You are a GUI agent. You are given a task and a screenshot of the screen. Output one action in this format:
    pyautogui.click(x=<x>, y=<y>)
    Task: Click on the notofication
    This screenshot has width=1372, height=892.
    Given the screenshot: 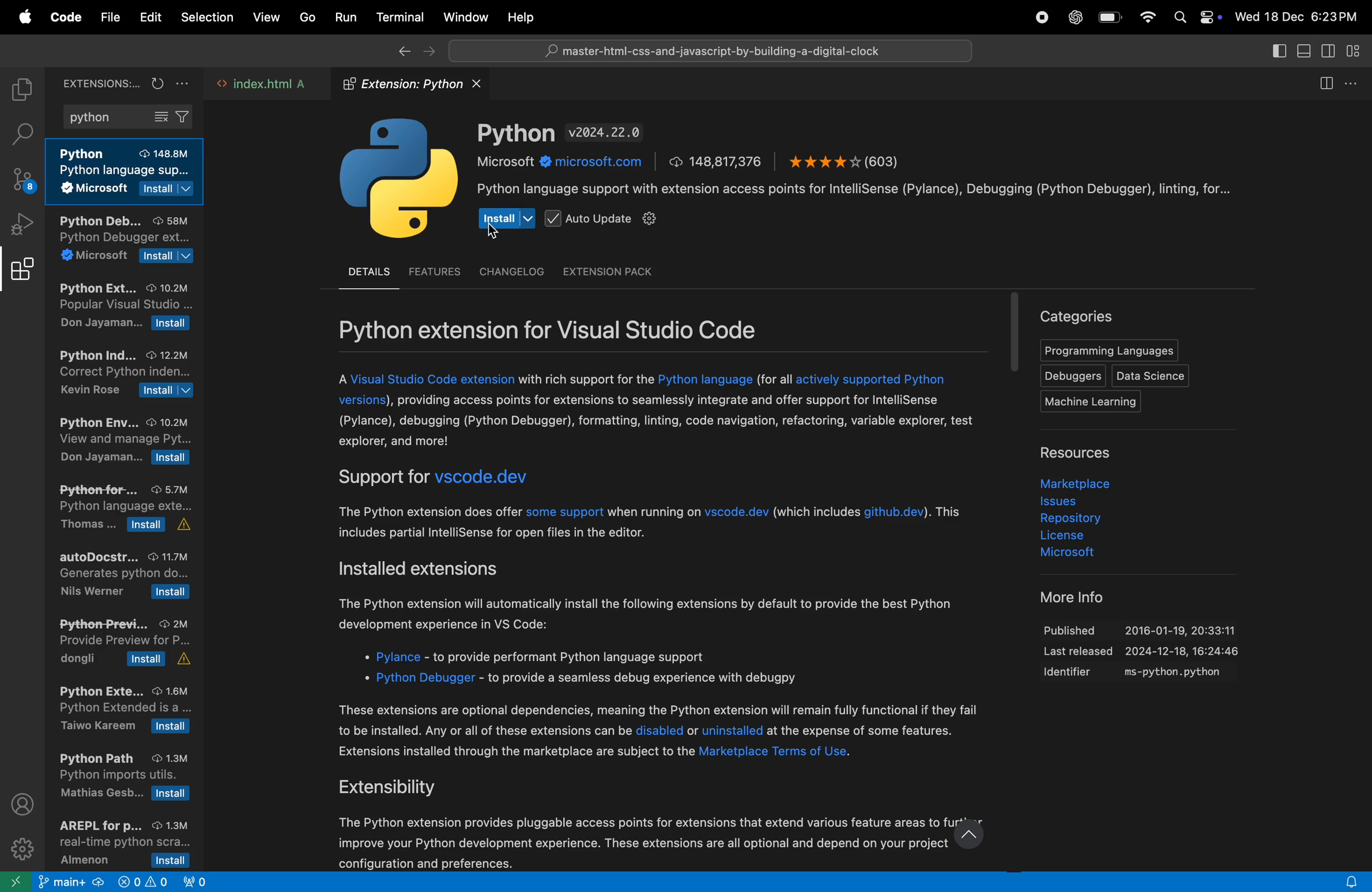 What is the action you would take?
    pyautogui.click(x=1347, y=881)
    